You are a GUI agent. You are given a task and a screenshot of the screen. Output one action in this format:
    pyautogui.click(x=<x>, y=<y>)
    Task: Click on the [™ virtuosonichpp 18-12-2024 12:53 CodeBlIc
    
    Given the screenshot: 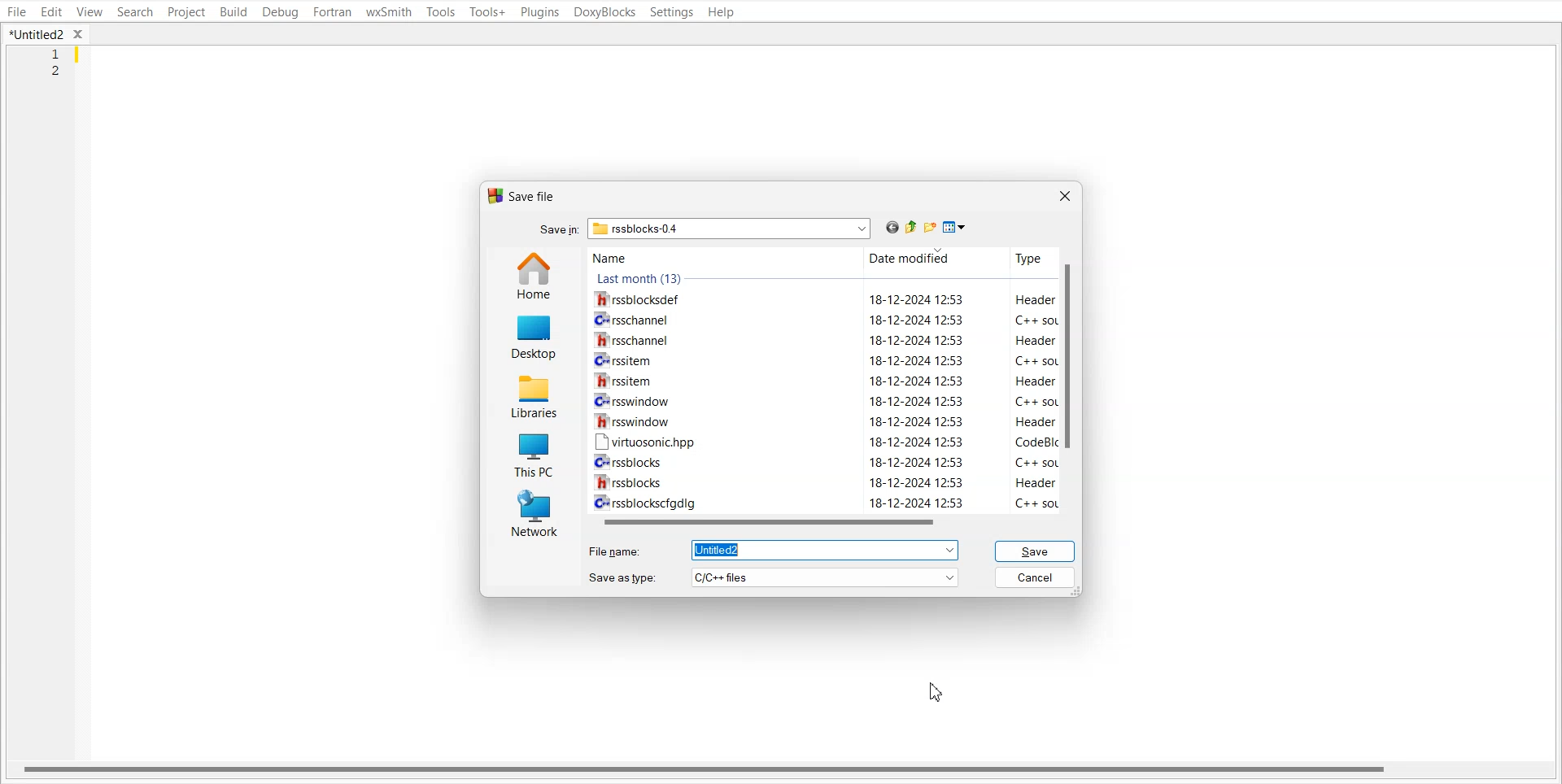 What is the action you would take?
    pyautogui.click(x=822, y=440)
    